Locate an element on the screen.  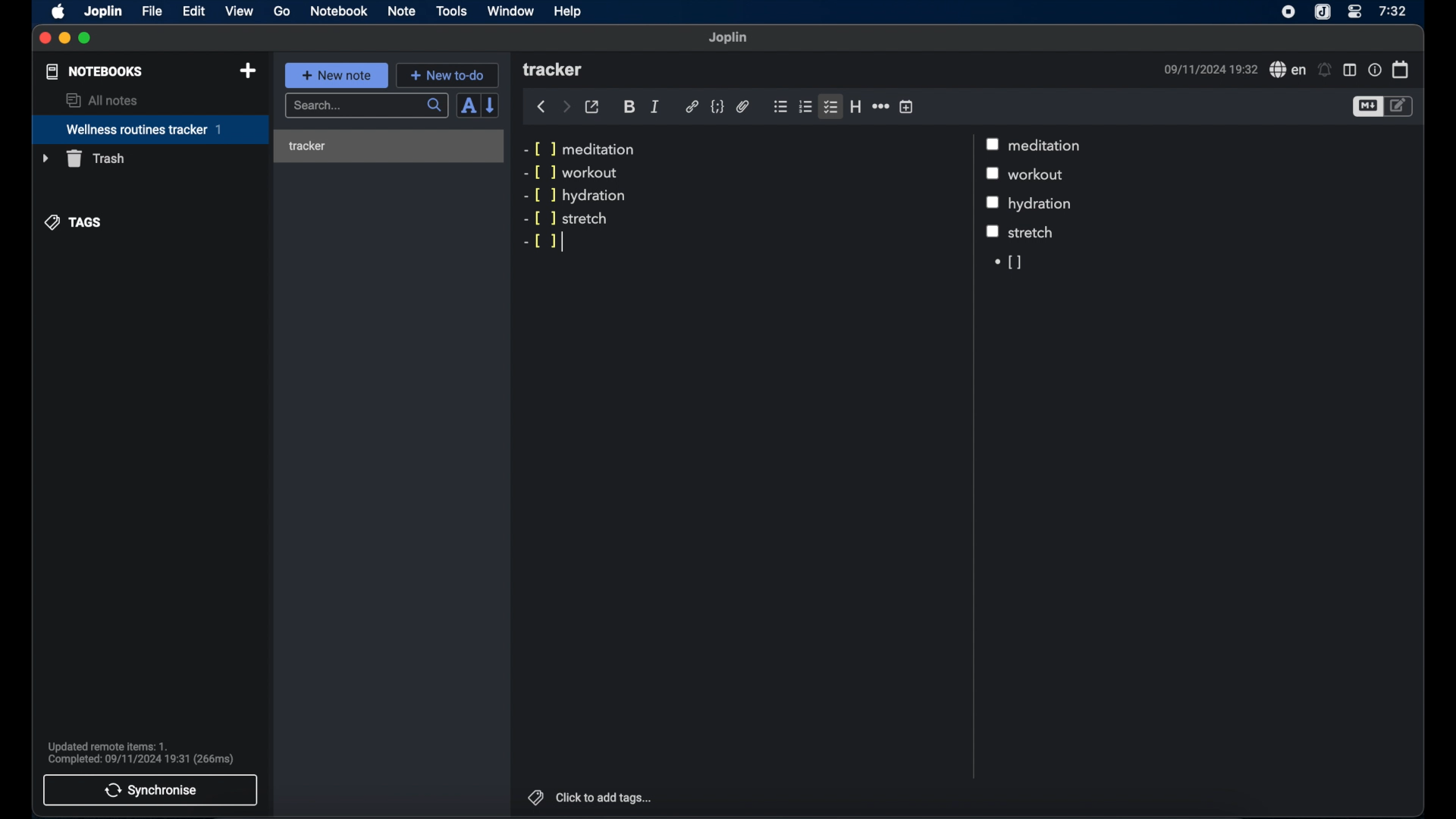
tracker is located at coordinates (554, 71).